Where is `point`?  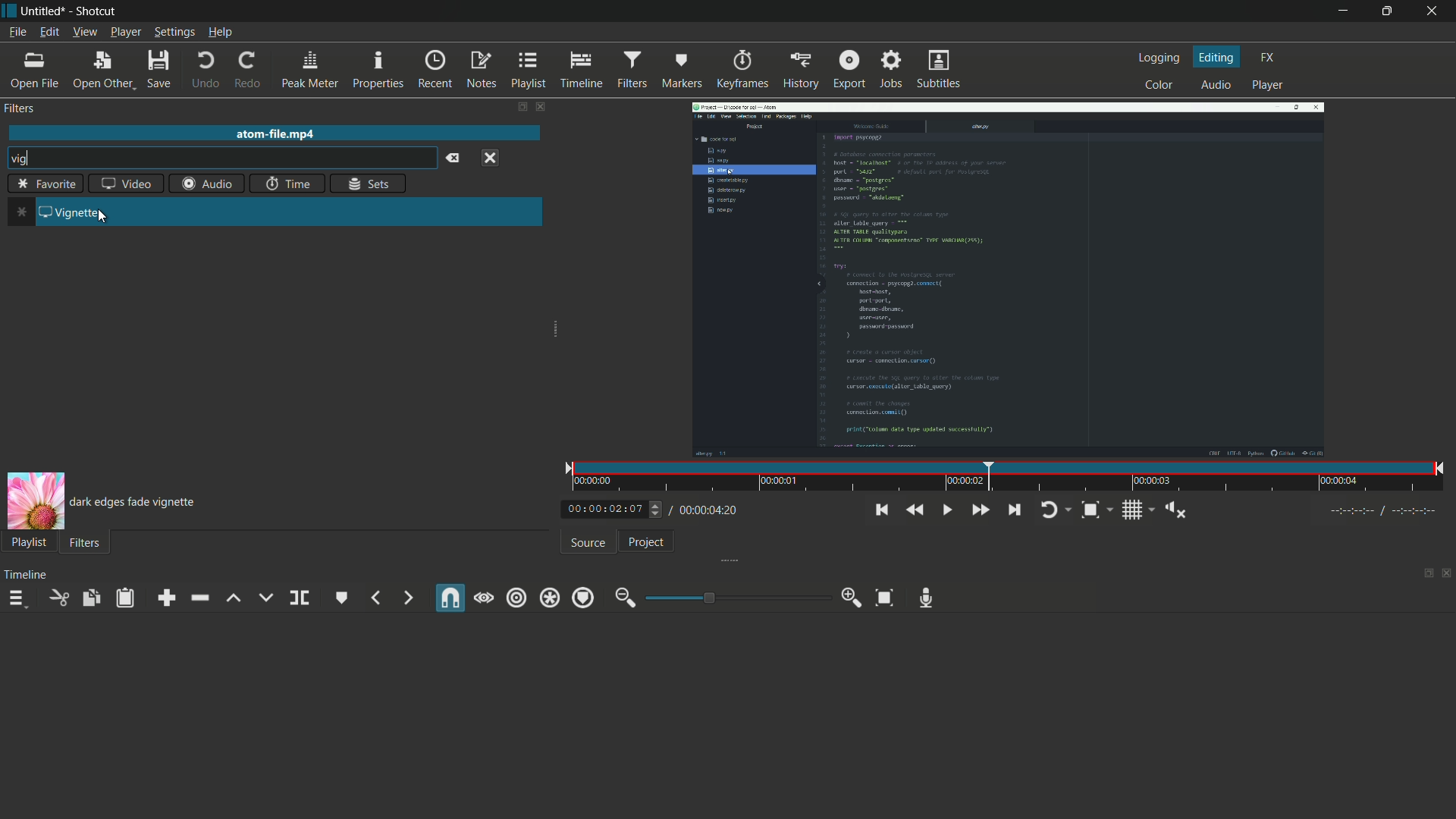 point is located at coordinates (21, 214).